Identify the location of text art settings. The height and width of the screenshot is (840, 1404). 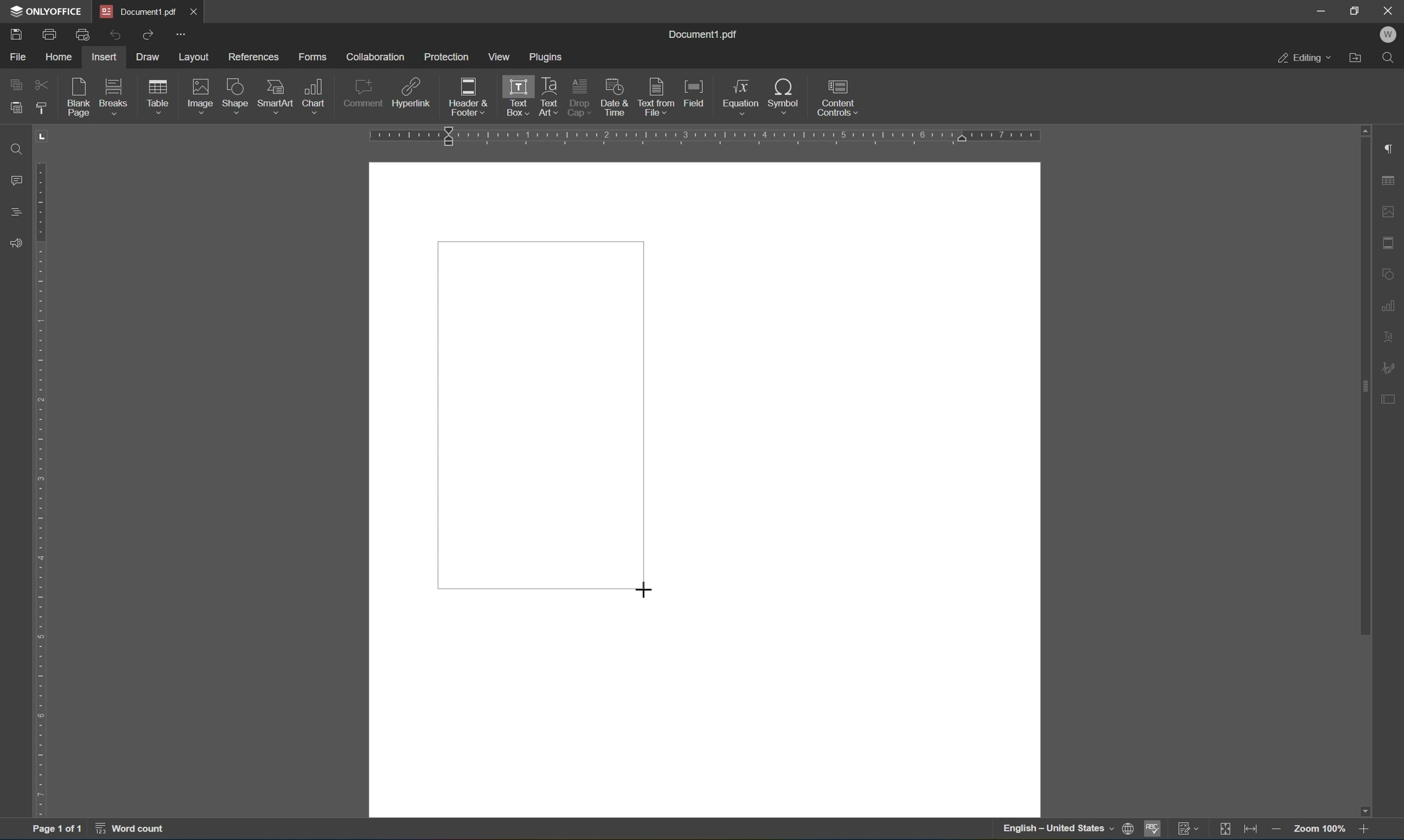
(1389, 338).